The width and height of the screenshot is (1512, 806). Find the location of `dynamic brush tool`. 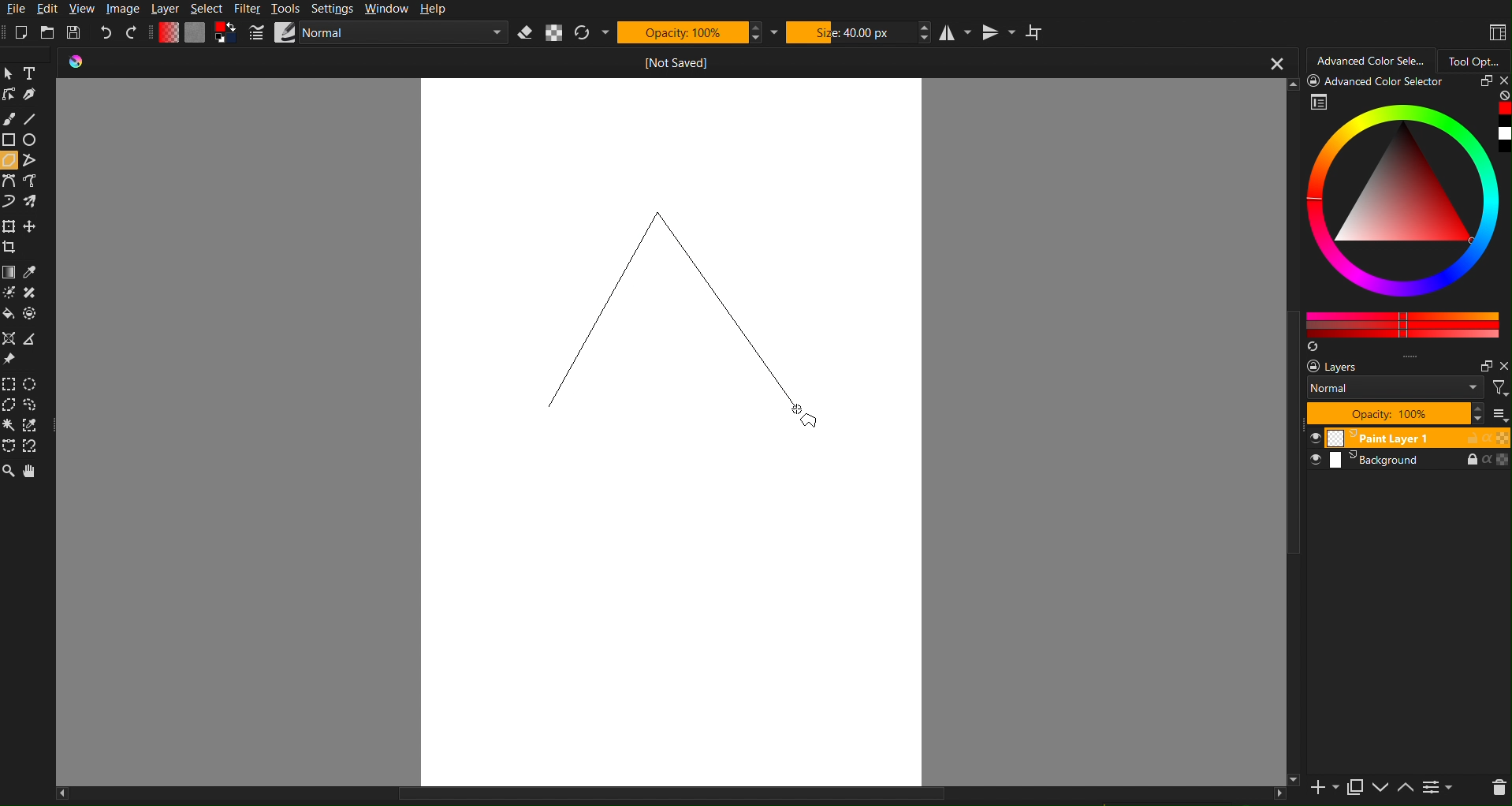

dynamic brush tool is located at coordinates (9, 203).